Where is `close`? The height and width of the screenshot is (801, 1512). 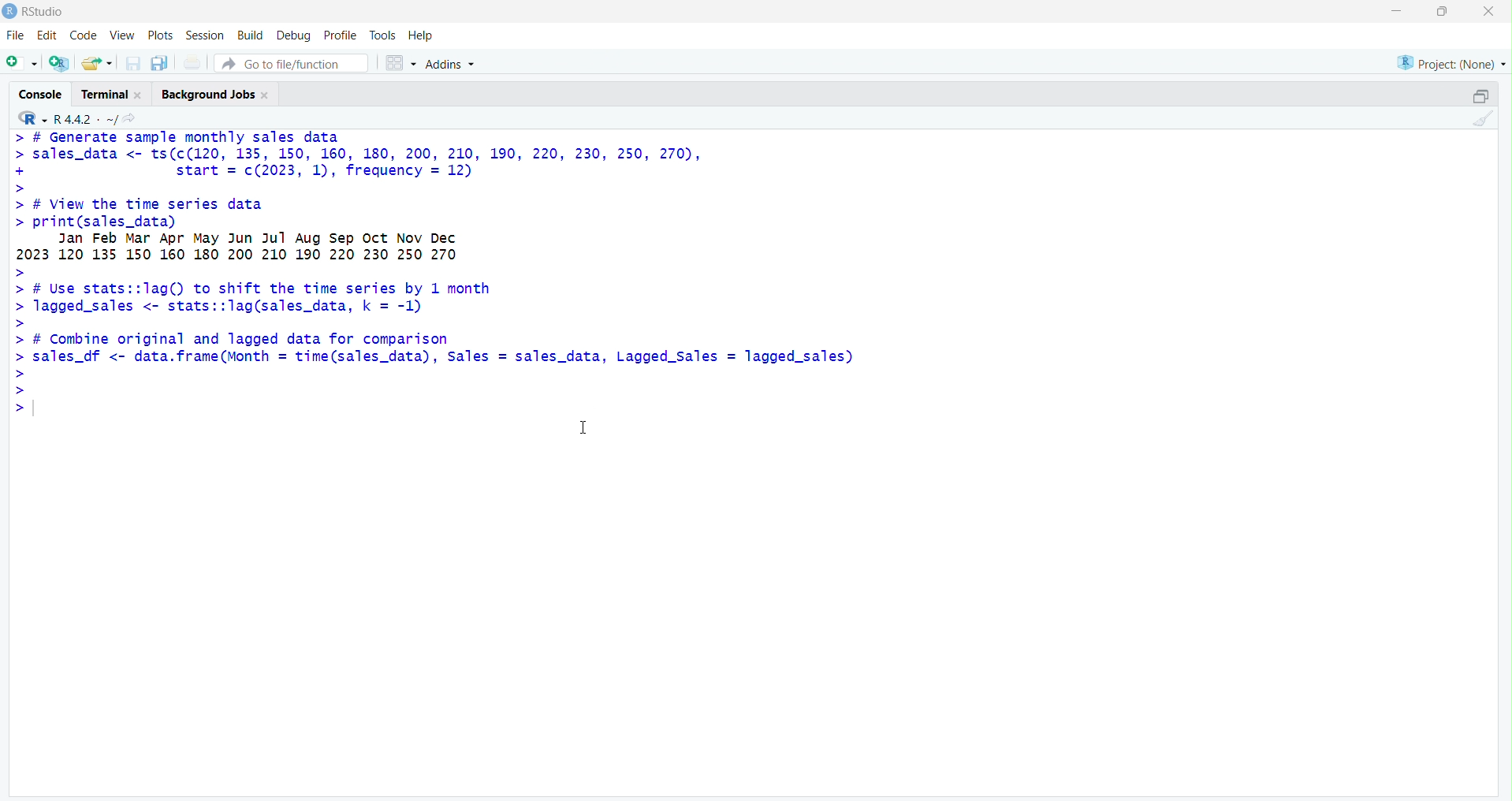
close is located at coordinates (1485, 12).